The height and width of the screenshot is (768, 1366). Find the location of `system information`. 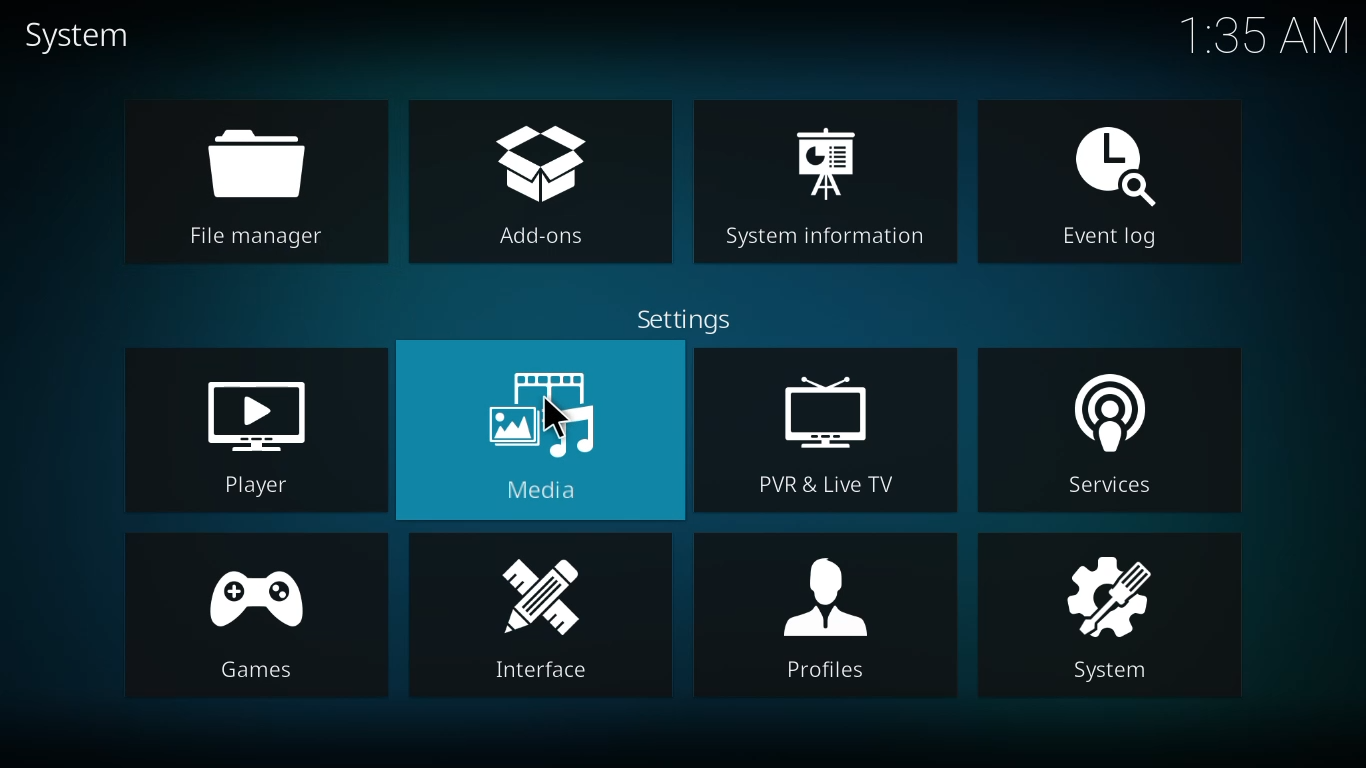

system information is located at coordinates (829, 186).